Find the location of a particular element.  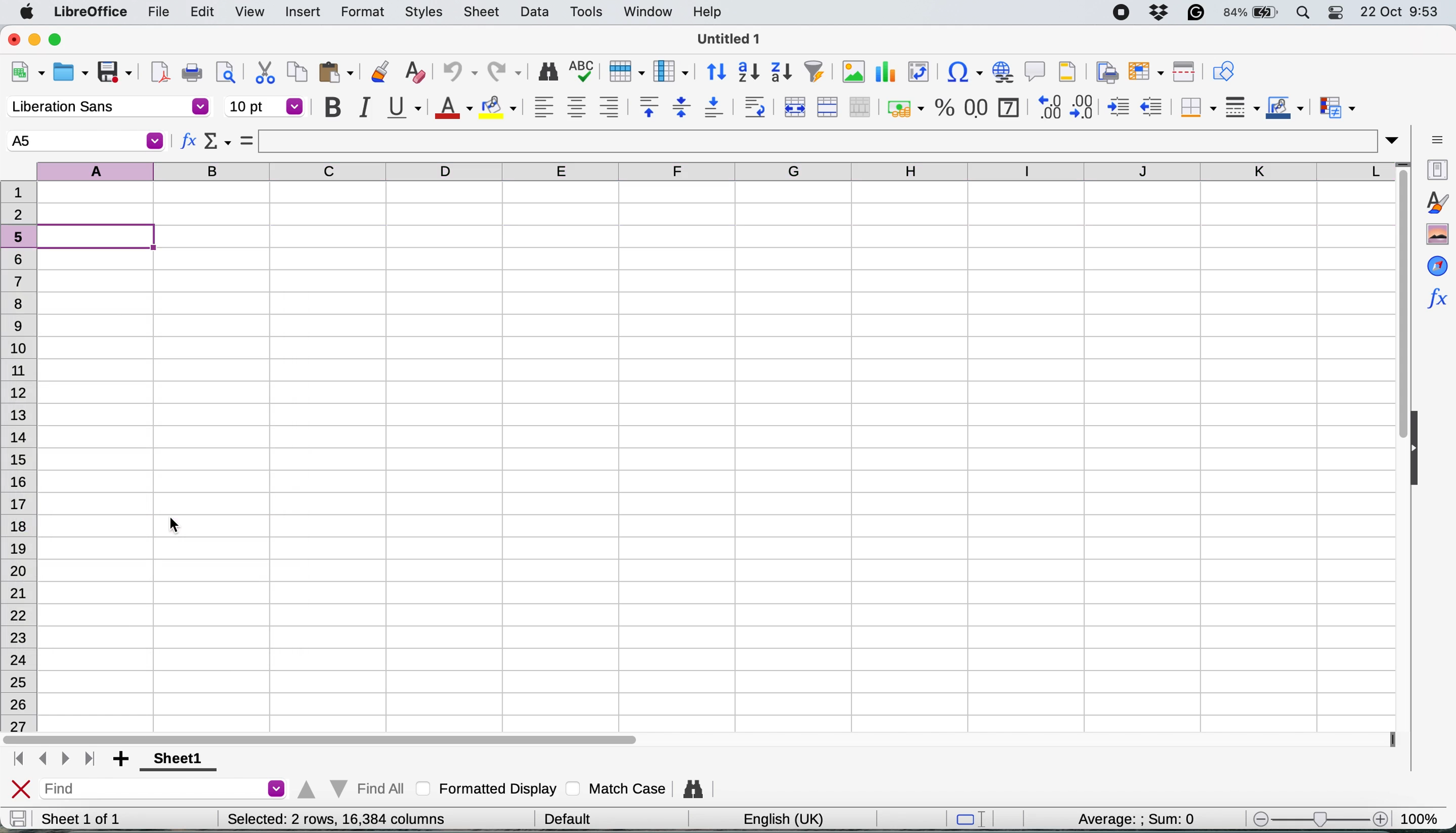

format as currency is located at coordinates (904, 108).